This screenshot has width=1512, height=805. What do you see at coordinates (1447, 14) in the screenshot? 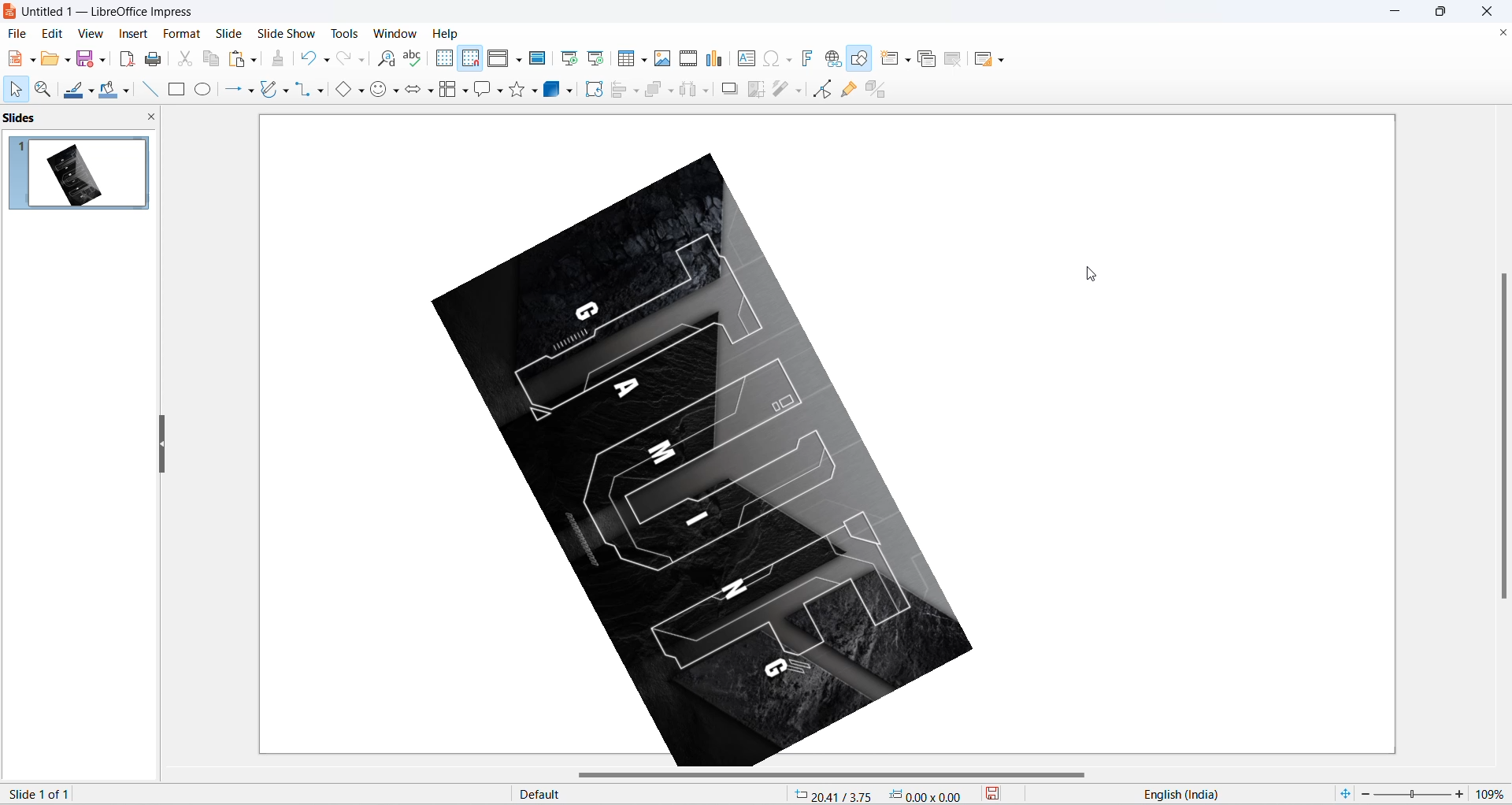
I see `maximize` at bounding box center [1447, 14].